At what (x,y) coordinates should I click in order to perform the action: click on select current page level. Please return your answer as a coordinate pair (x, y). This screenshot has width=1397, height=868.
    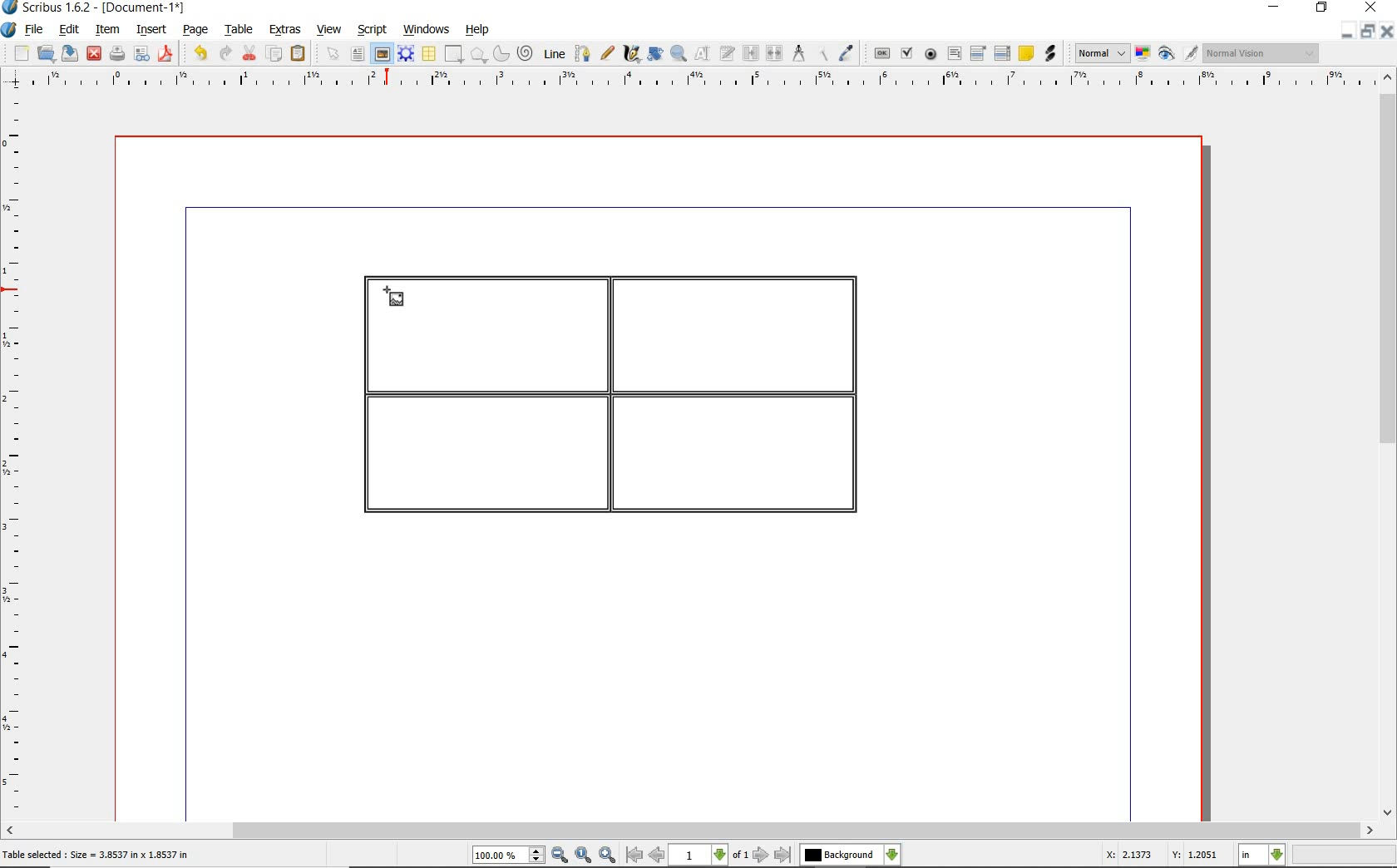
    Looking at the image, I should click on (709, 855).